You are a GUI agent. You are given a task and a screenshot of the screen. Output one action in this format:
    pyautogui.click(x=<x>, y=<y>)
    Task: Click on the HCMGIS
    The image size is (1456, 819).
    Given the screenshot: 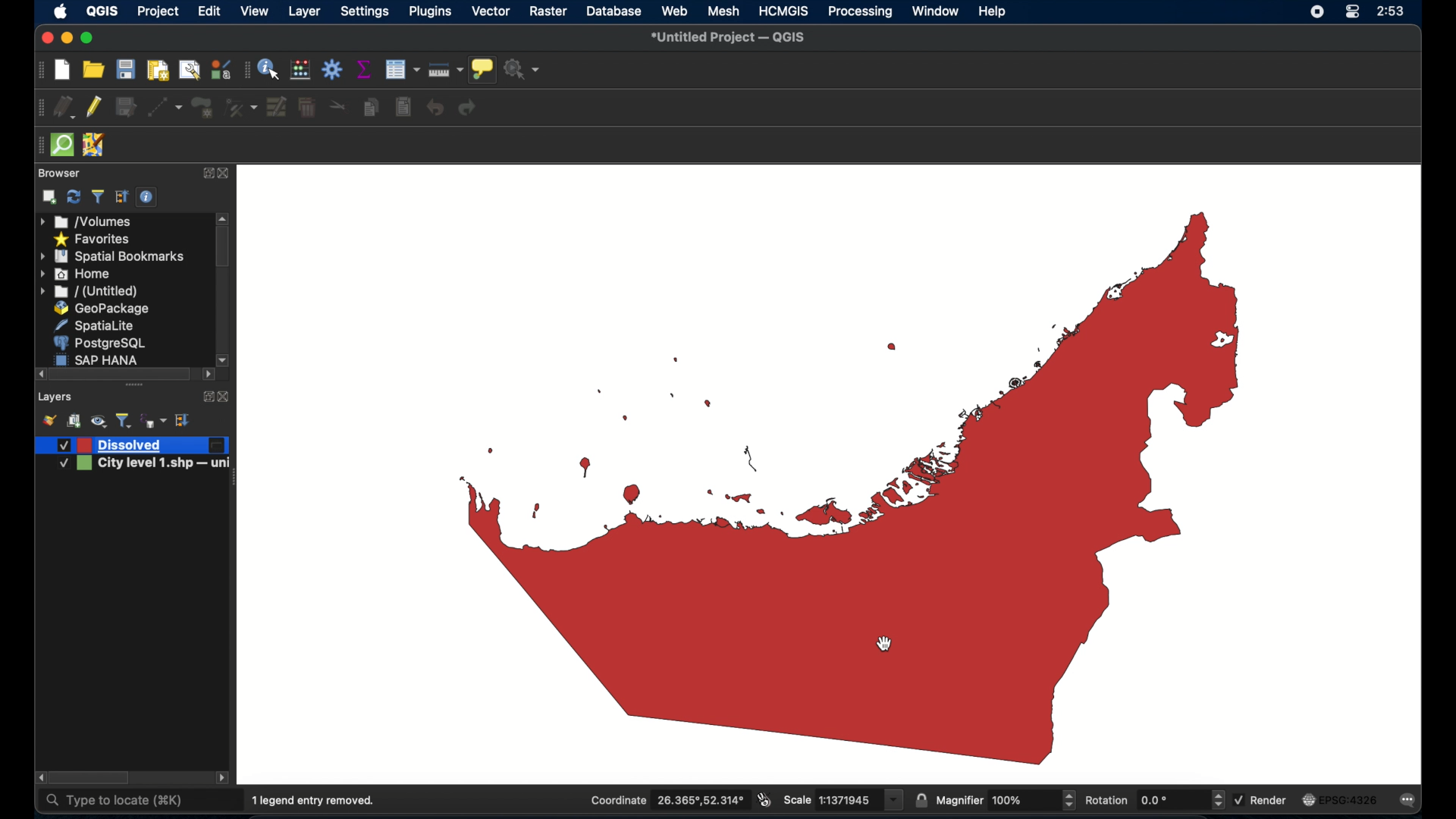 What is the action you would take?
    pyautogui.click(x=784, y=11)
    